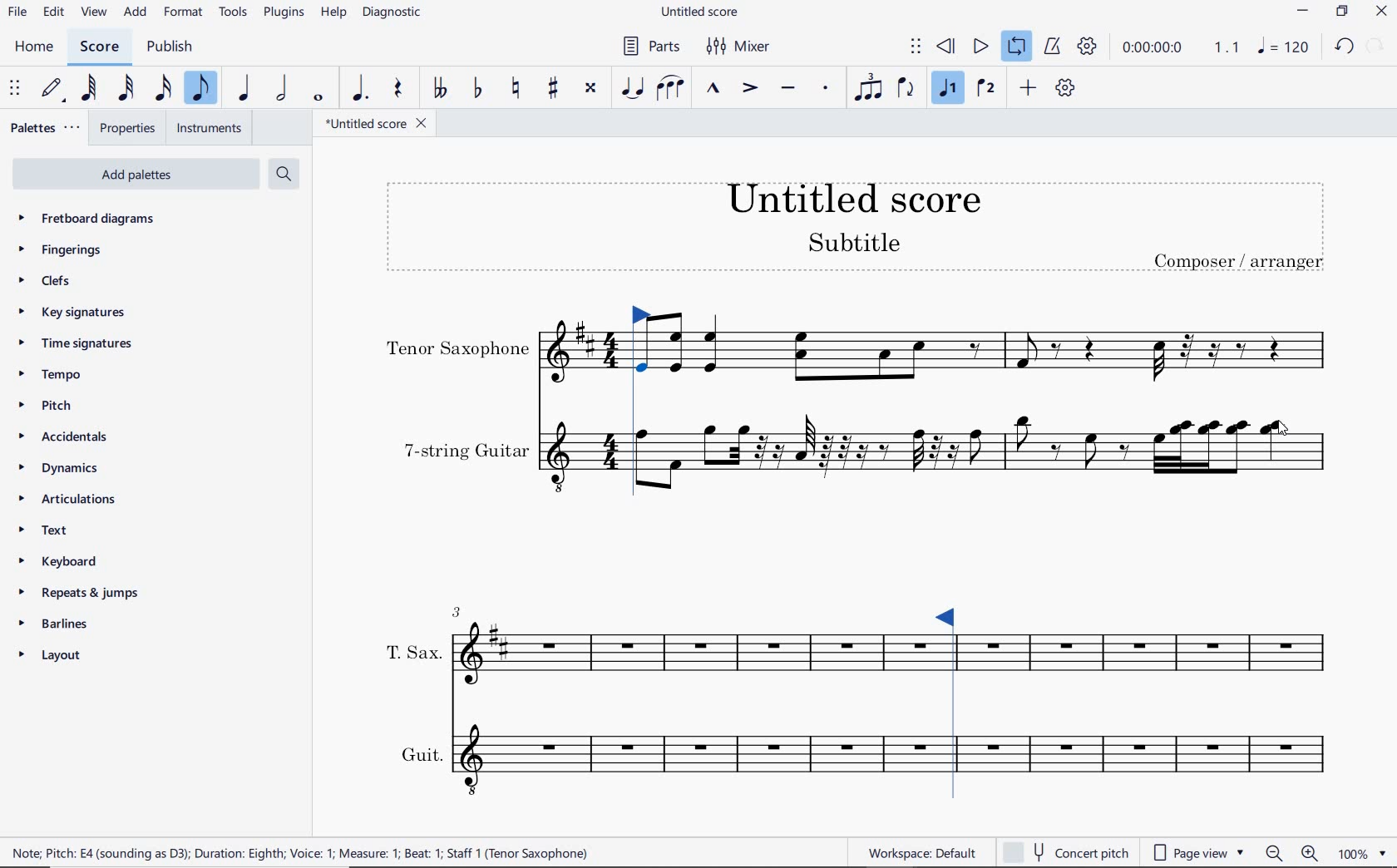 The image size is (1397, 868). I want to click on PLAYBACK SETTINGS, so click(1088, 47).